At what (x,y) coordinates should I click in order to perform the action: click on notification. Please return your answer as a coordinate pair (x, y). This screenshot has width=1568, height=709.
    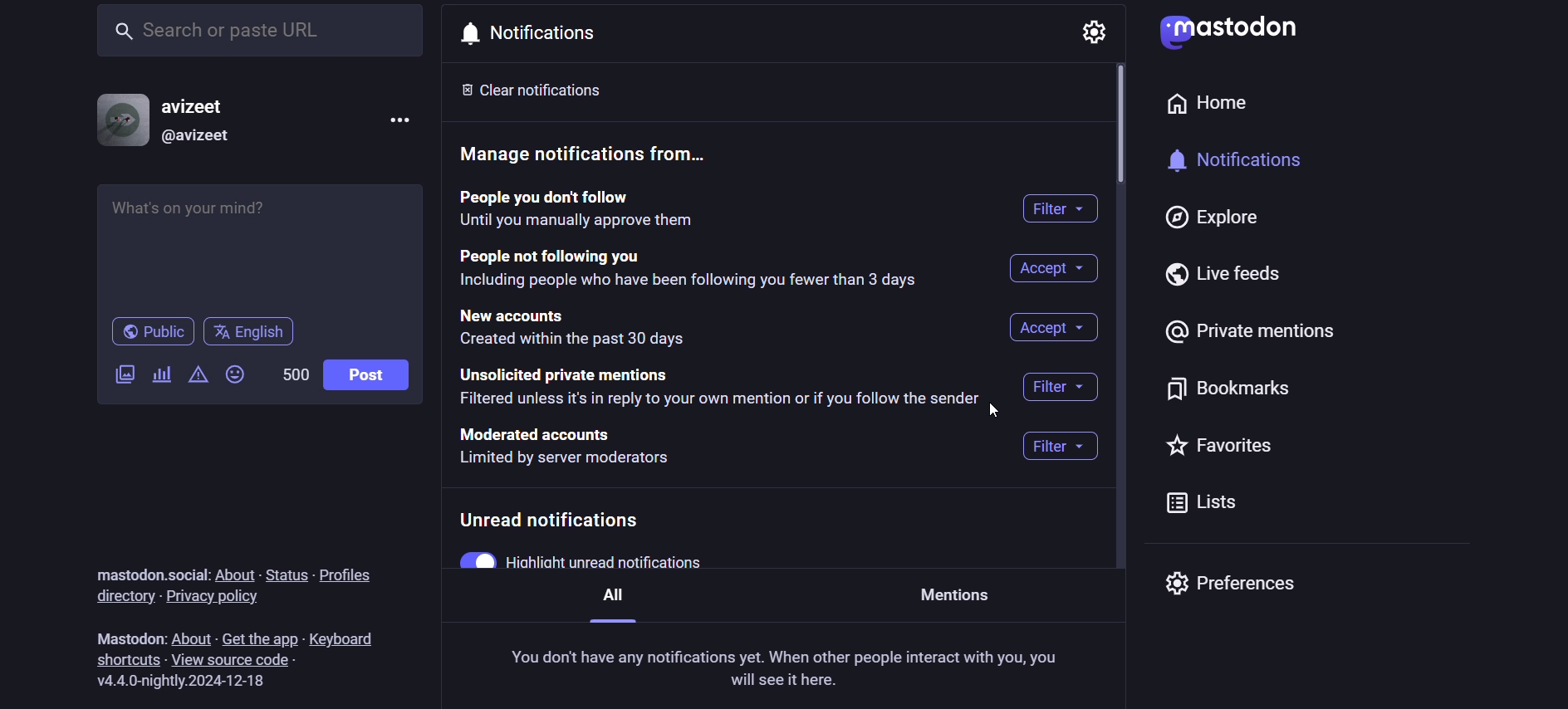
    Looking at the image, I should click on (1247, 165).